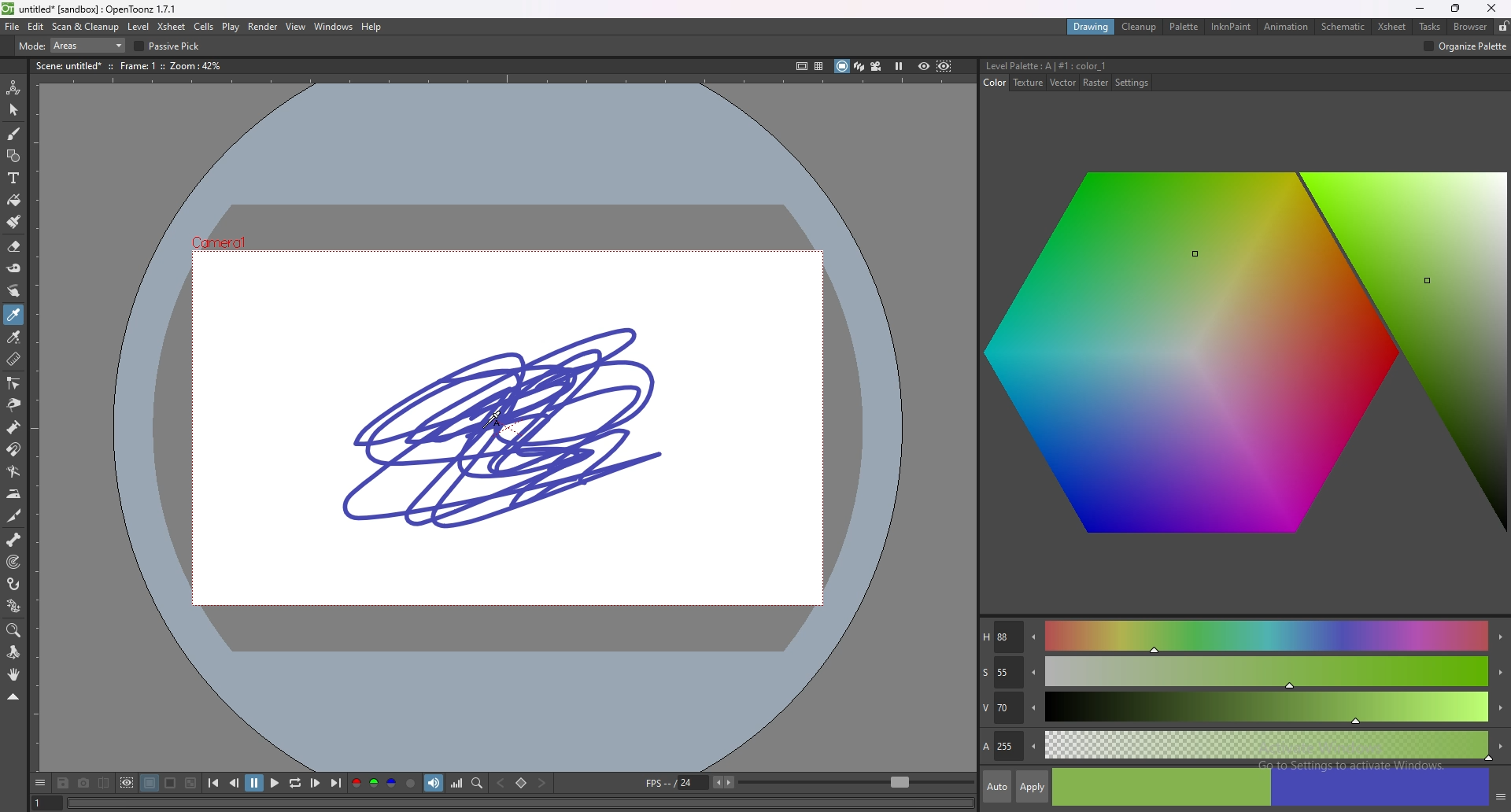 The width and height of the screenshot is (1511, 812). What do you see at coordinates (127, 782) in the screenshot?
I see `define sub camera` at bounding box center [127, 782].